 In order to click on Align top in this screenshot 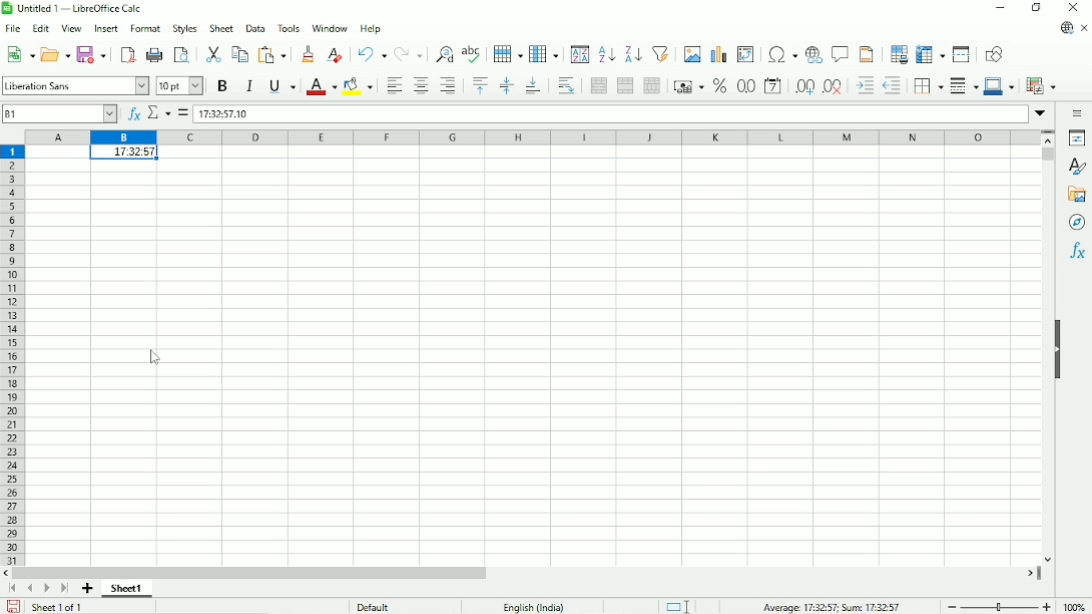, I will do `click(478, 86)`.